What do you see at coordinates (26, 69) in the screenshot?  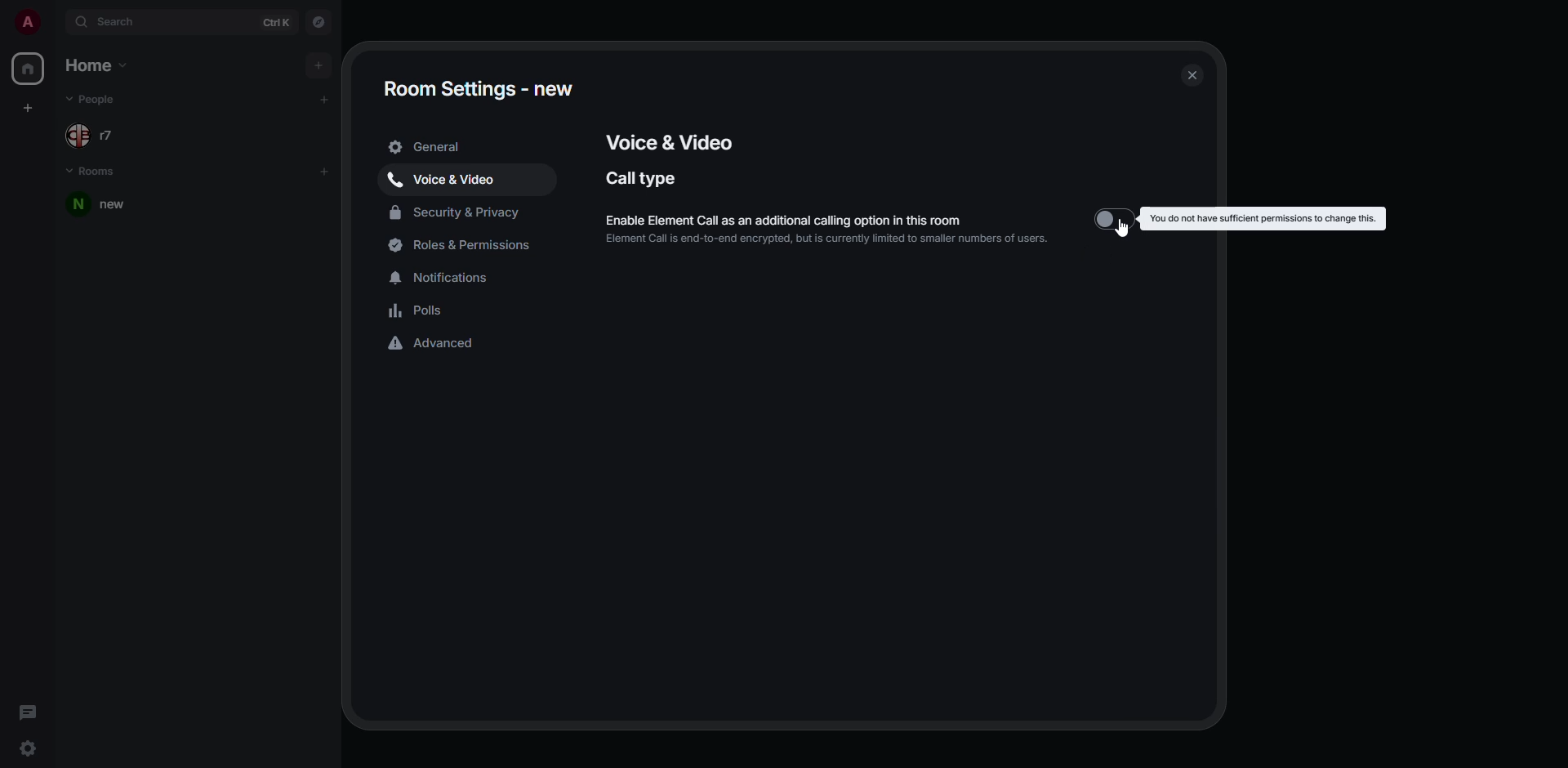 I see `home` at bounding box center [26, 69].